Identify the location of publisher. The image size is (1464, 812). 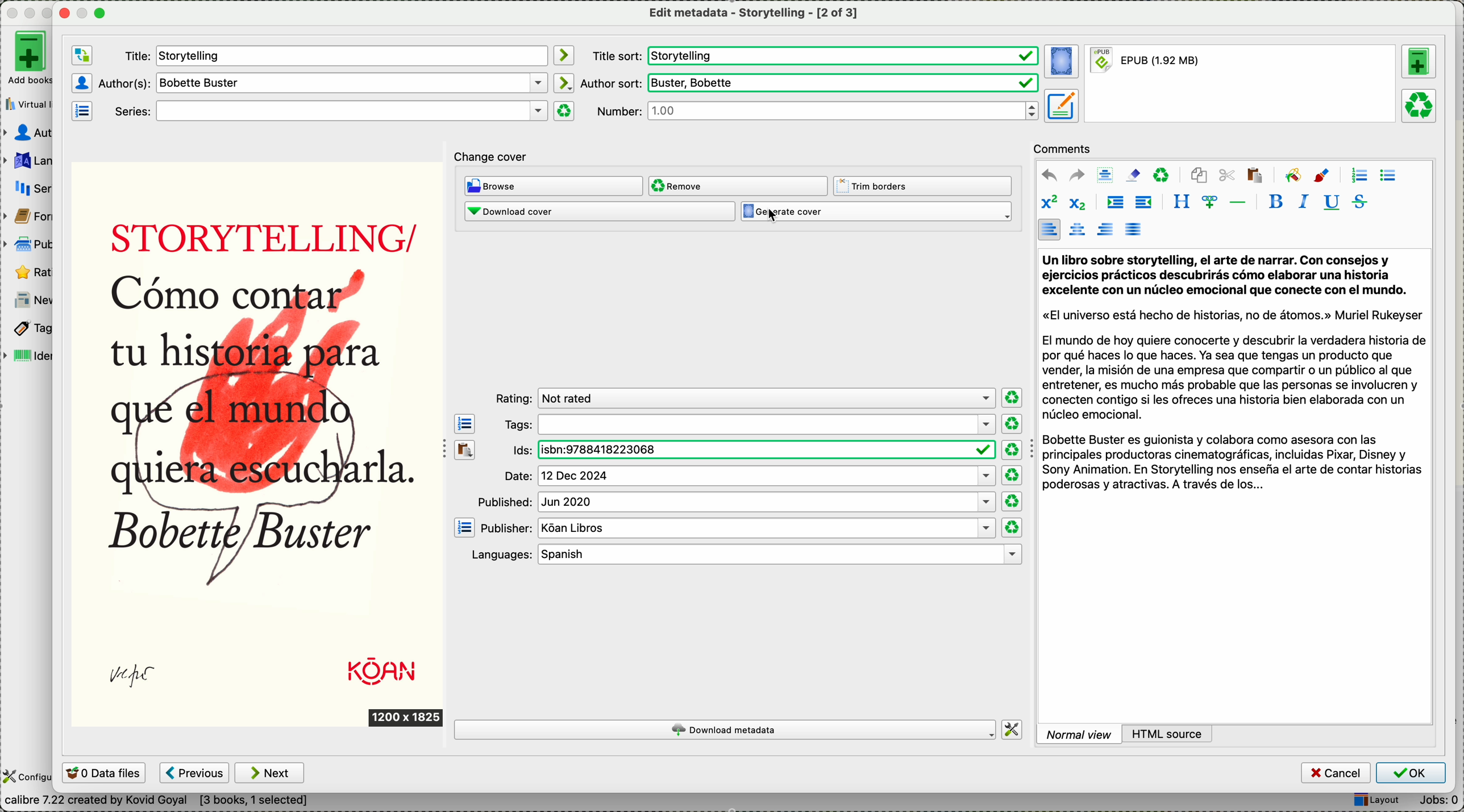
(737, 528).